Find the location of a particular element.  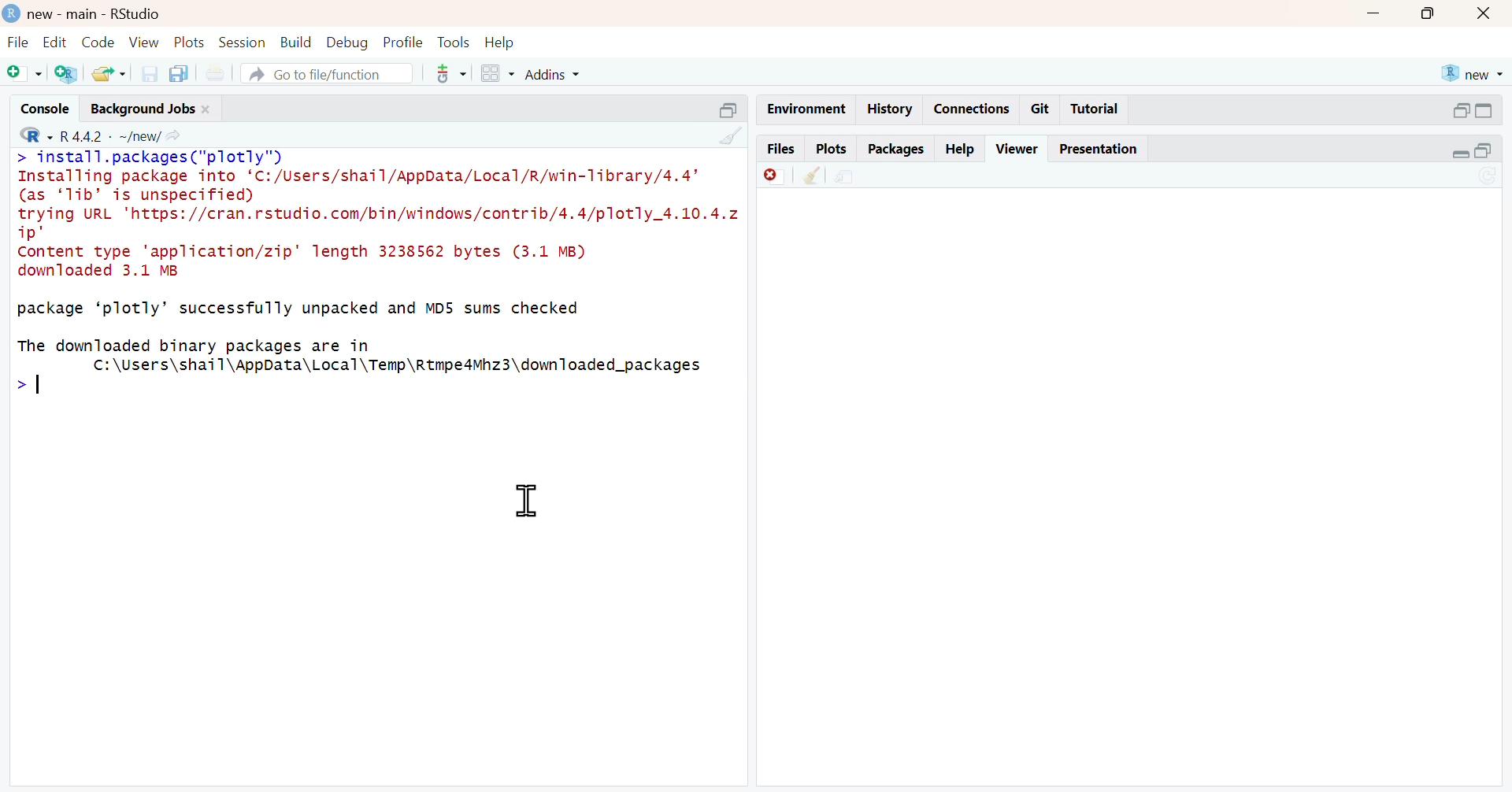

select language is located at coordinates (28, 134).